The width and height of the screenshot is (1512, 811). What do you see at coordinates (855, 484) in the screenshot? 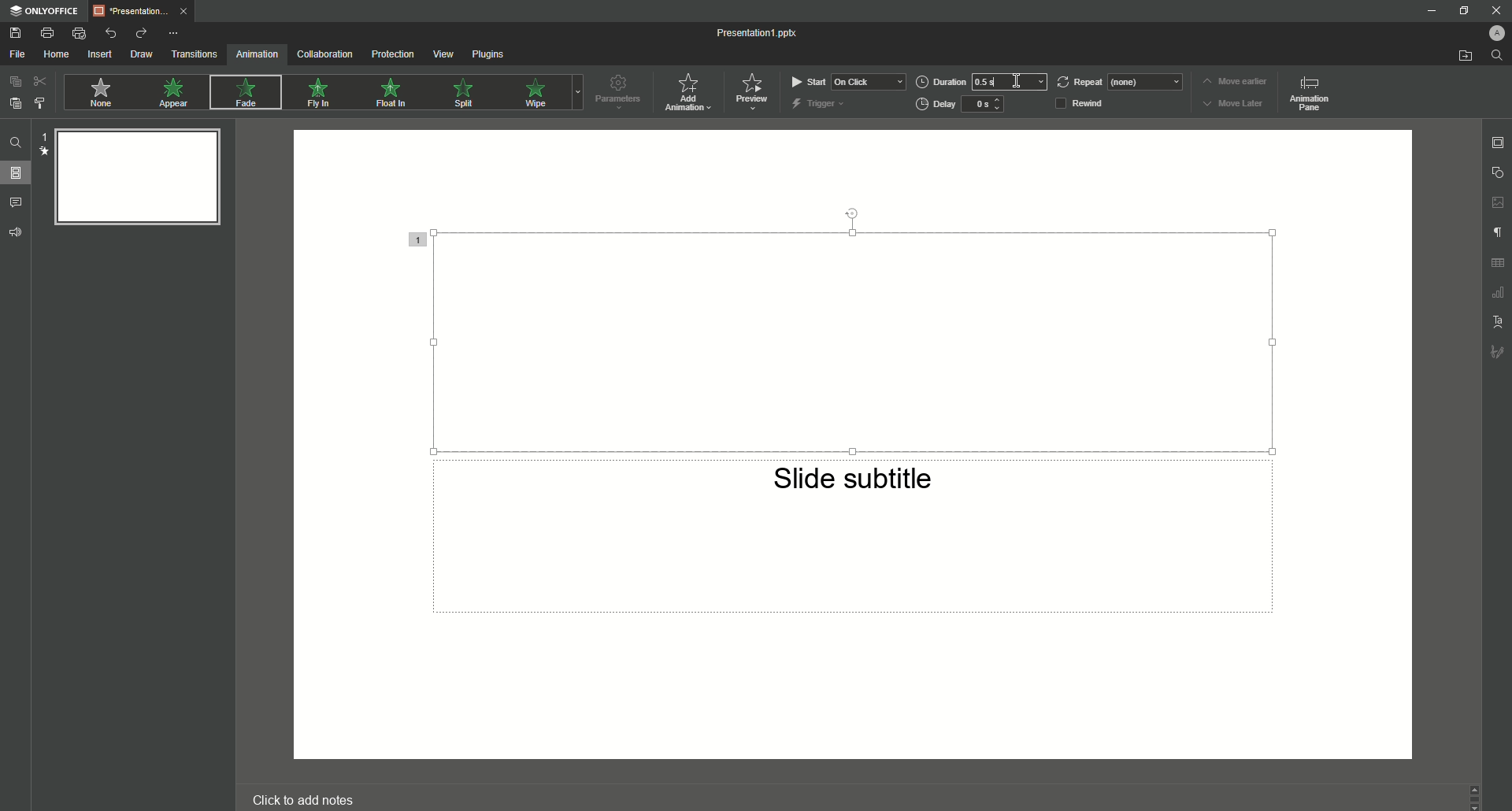
I see `Slide subtitle` at bounding box center [855, 484].